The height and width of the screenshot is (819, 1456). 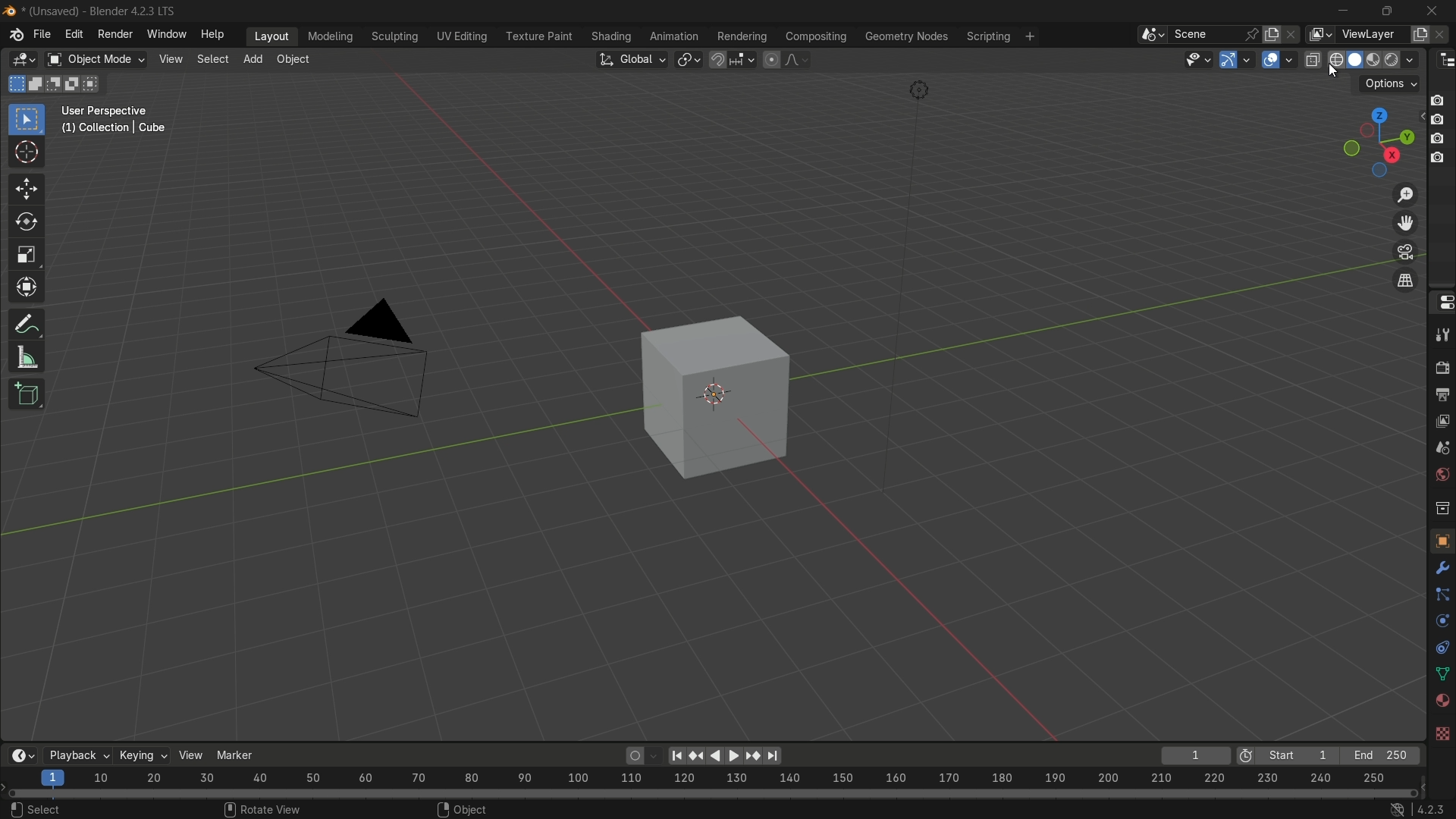 What do you see at coordinates (1405, 252) in the screenshot?
I see `toggle camera view` at bounding box center [1405, 252].